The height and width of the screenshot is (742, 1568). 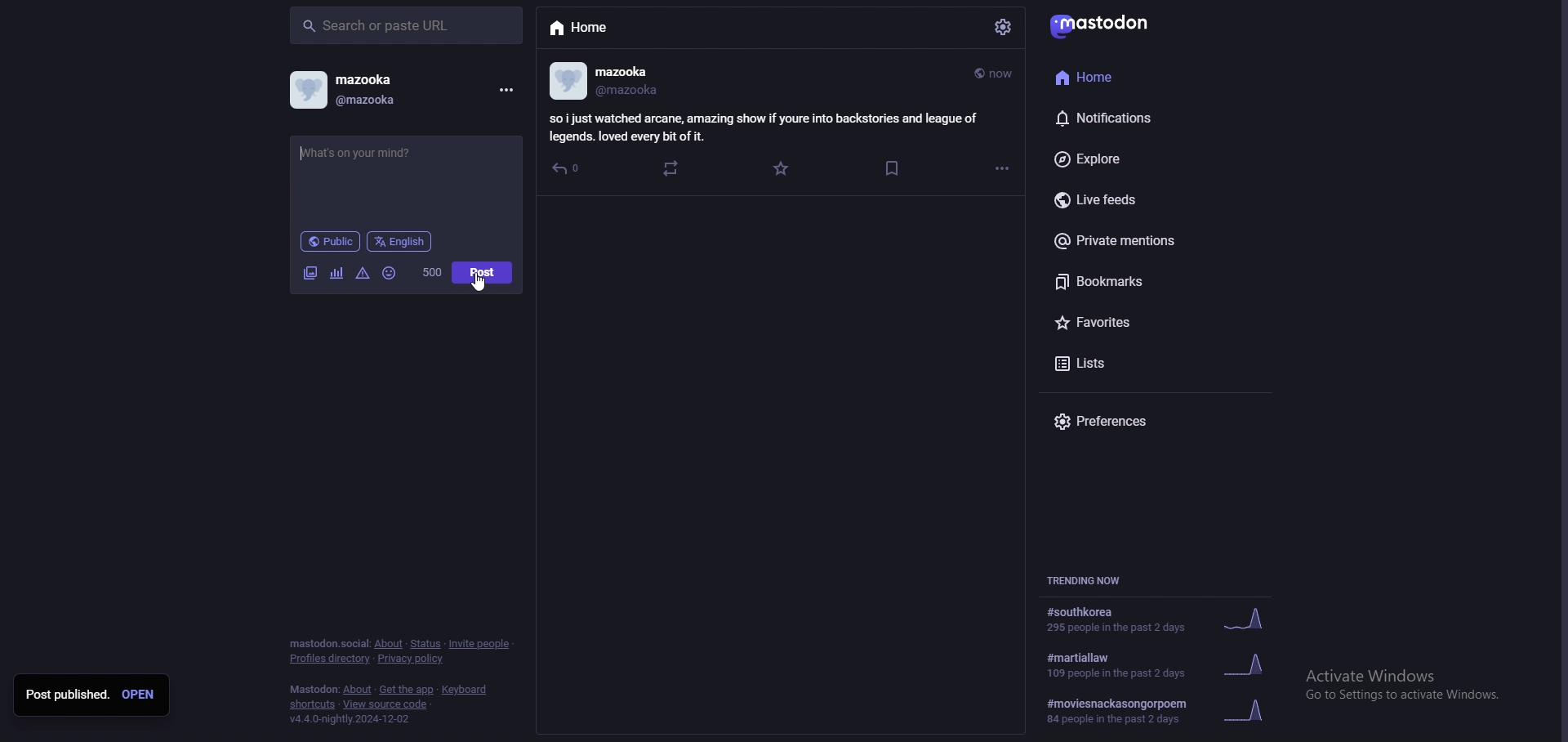 I want to click on version, so click(x=353, y=718).